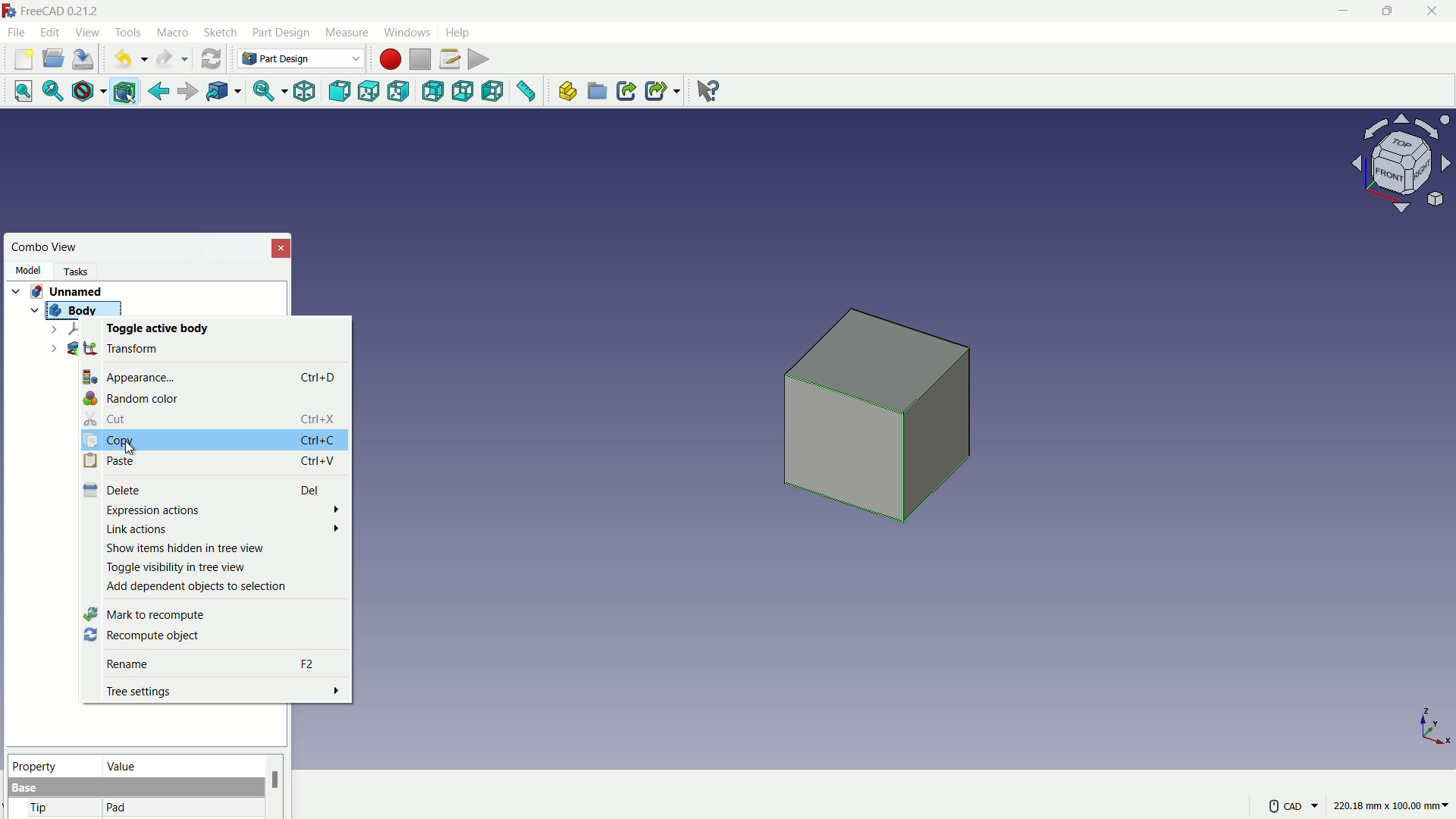  What do you see at coordinates (215, 417) in the screenshot?
I see `Cut Ctrl+X` at bounding box center [215, 417].